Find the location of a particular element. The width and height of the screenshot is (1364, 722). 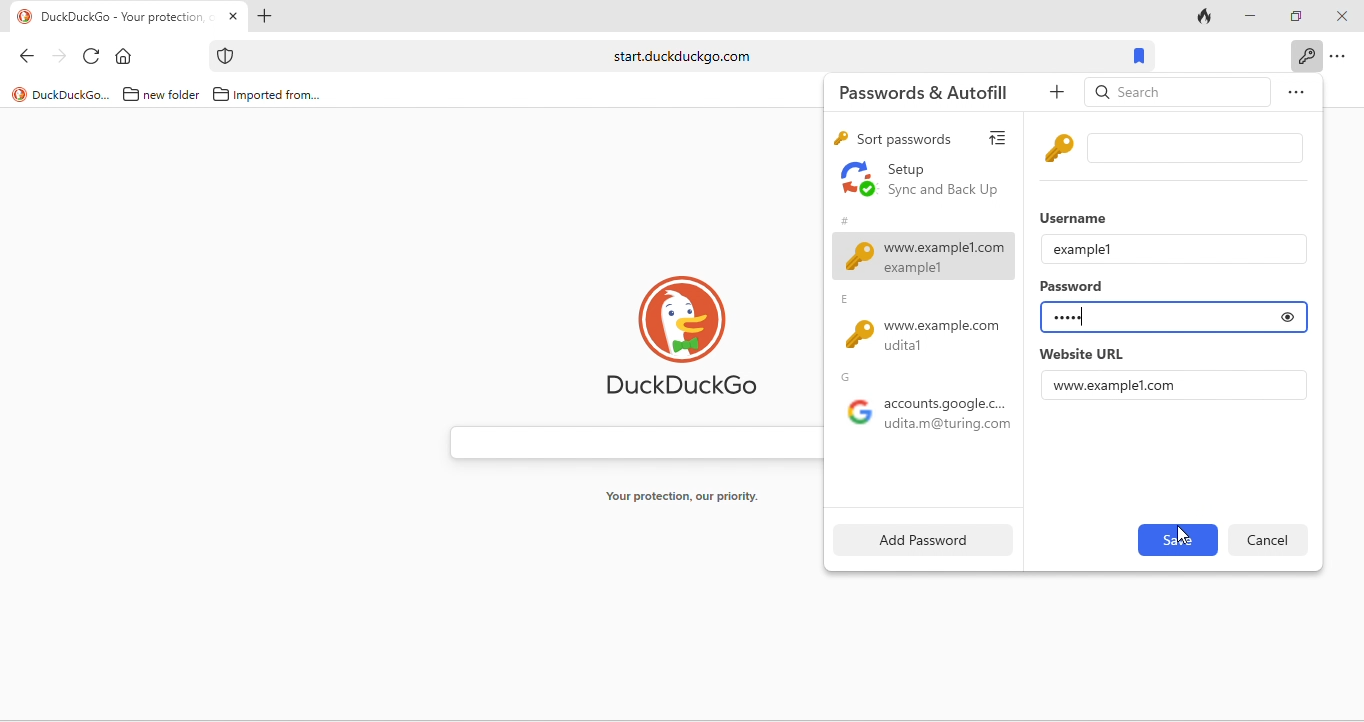

start.duckduckgo.com is located at coordinates (680, 56).